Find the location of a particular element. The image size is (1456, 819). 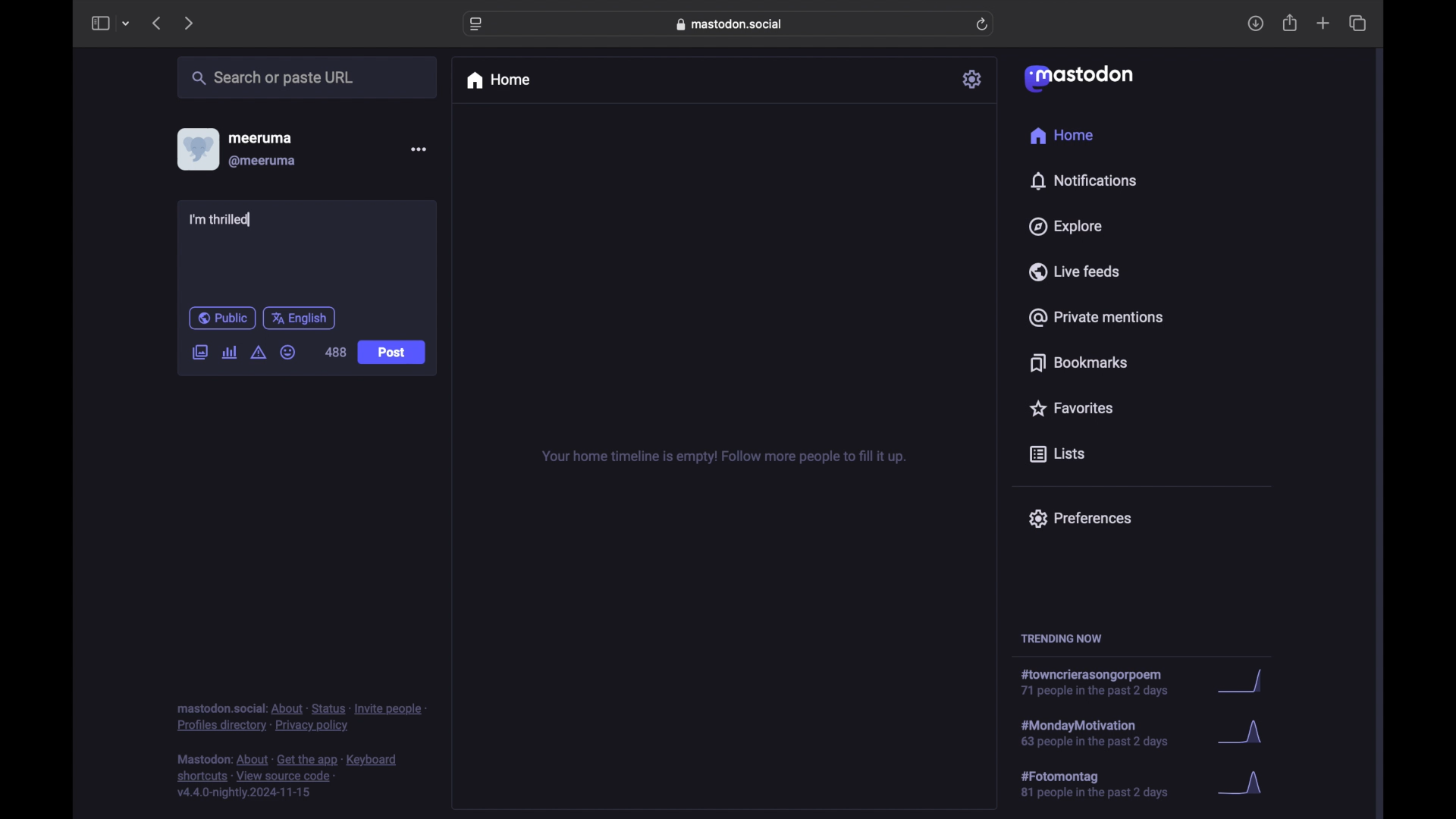

notifications is located at coordinates (1083, 181).